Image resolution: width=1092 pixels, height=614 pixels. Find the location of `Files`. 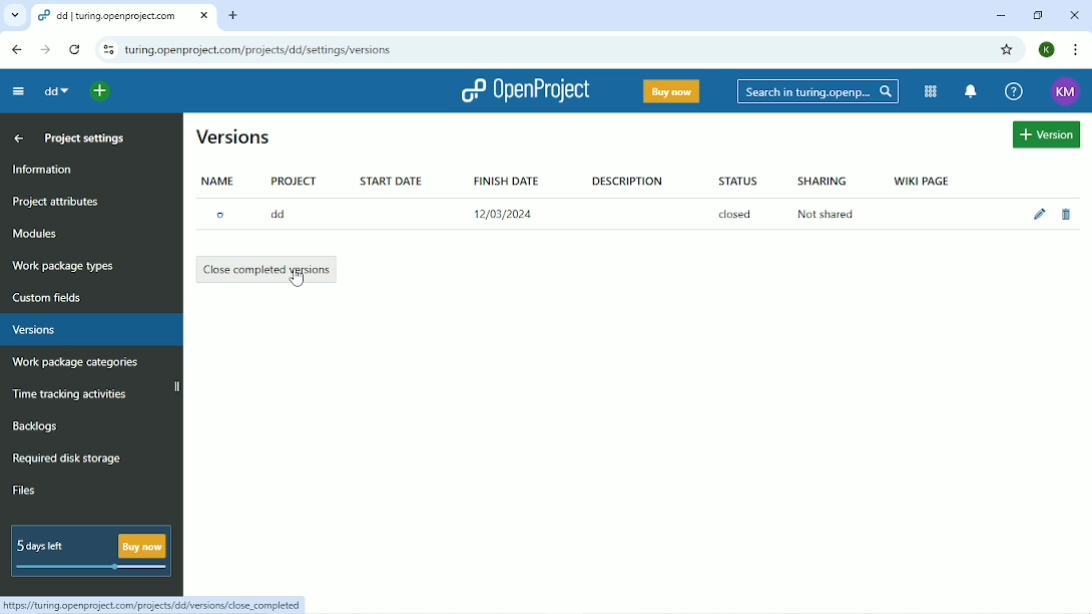

Files is located at coordinates (28, 489).